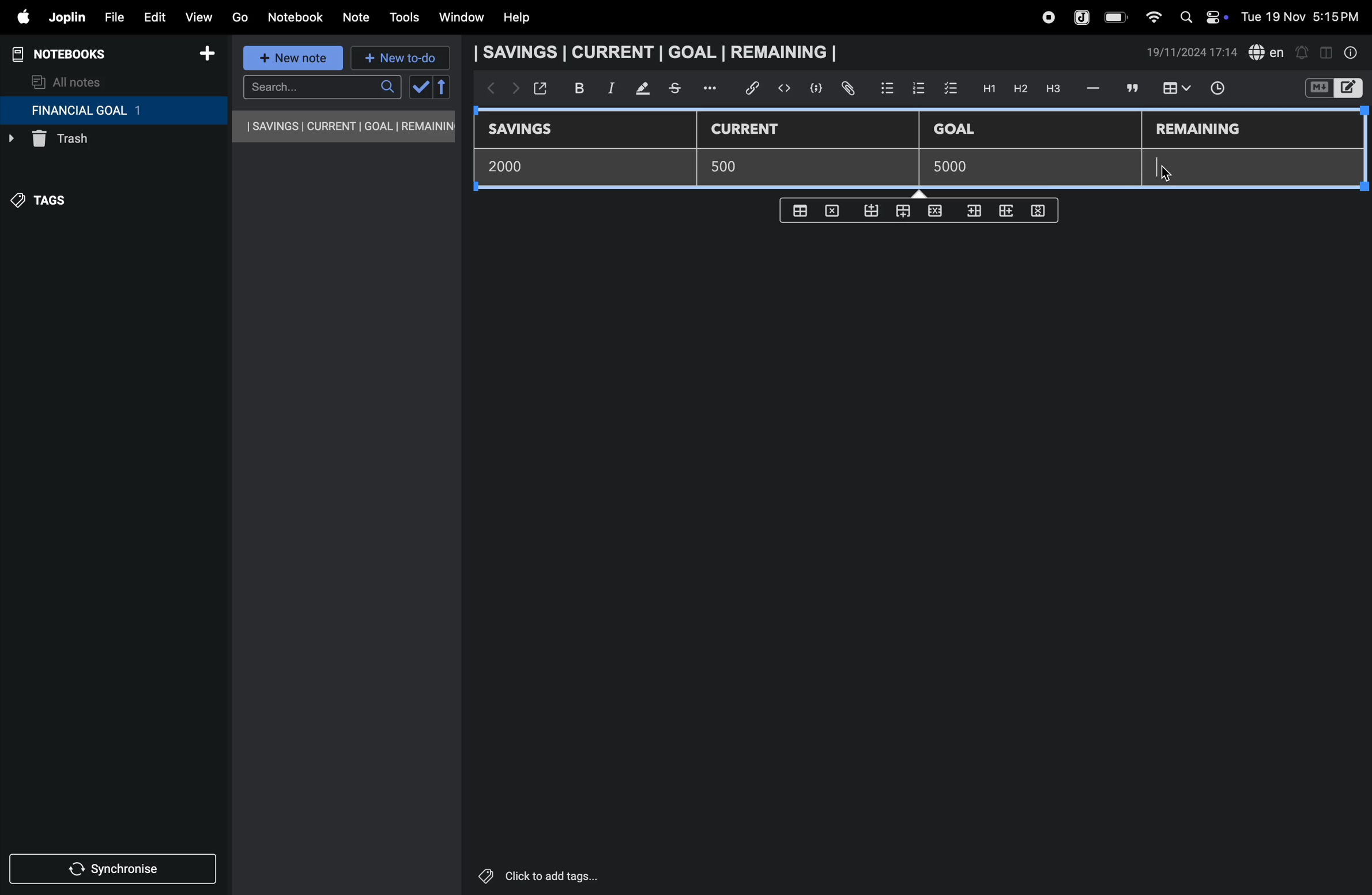 The height and width of the screenshot is (895, 1372). I want to click on joplin, so click(1083, 16).